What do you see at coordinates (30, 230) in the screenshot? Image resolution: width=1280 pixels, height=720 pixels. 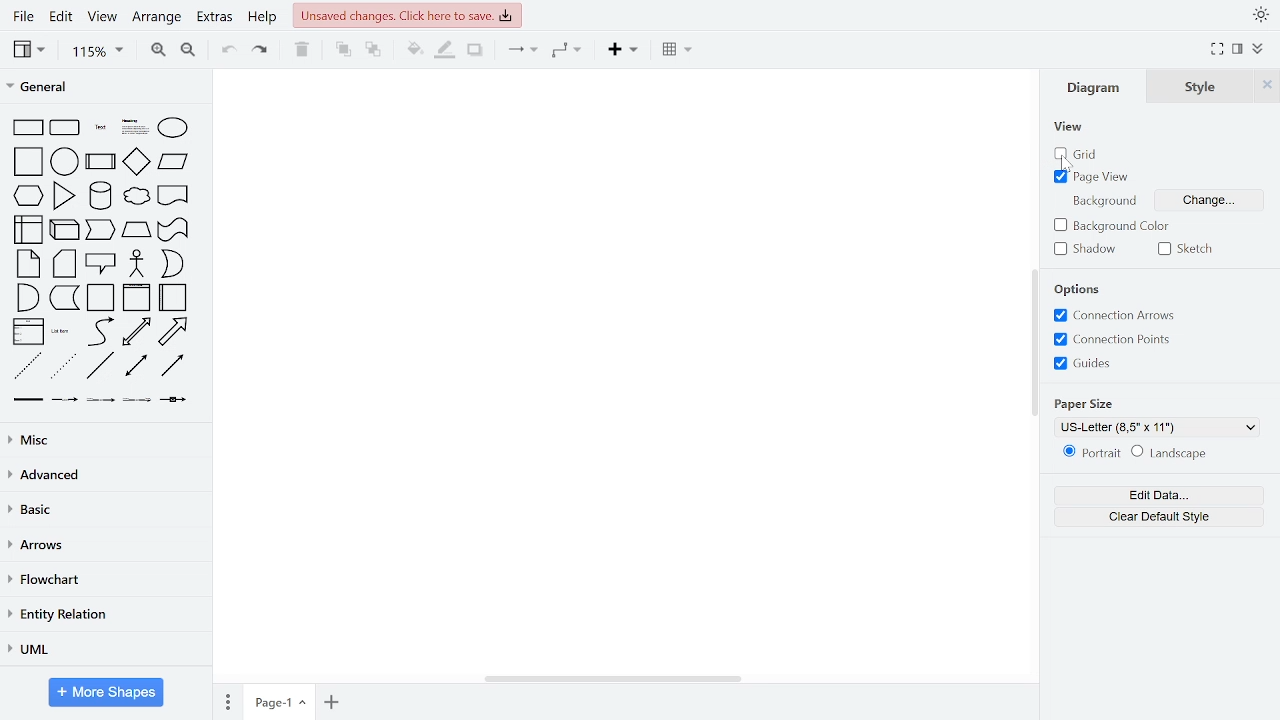 I see `internal storage` at bounding box center [30, 230].